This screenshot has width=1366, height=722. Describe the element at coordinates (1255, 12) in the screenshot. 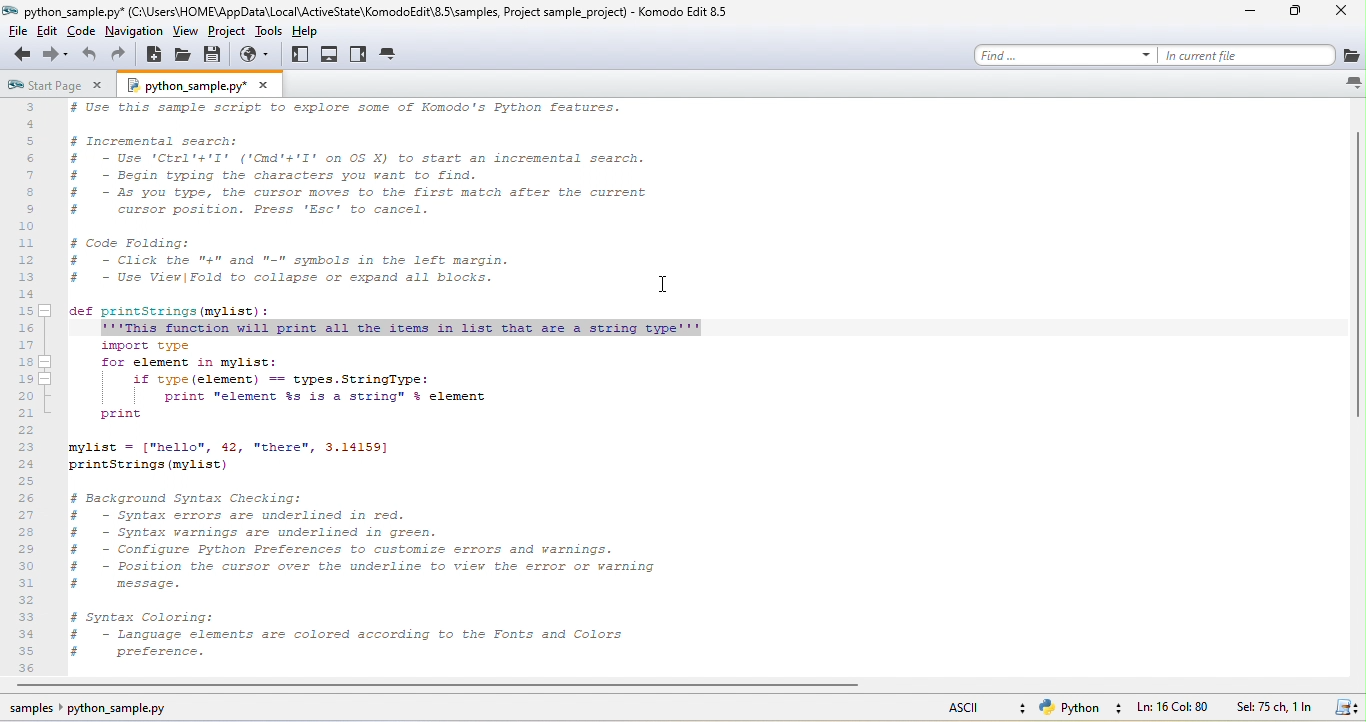

I see `minimize` at that location.